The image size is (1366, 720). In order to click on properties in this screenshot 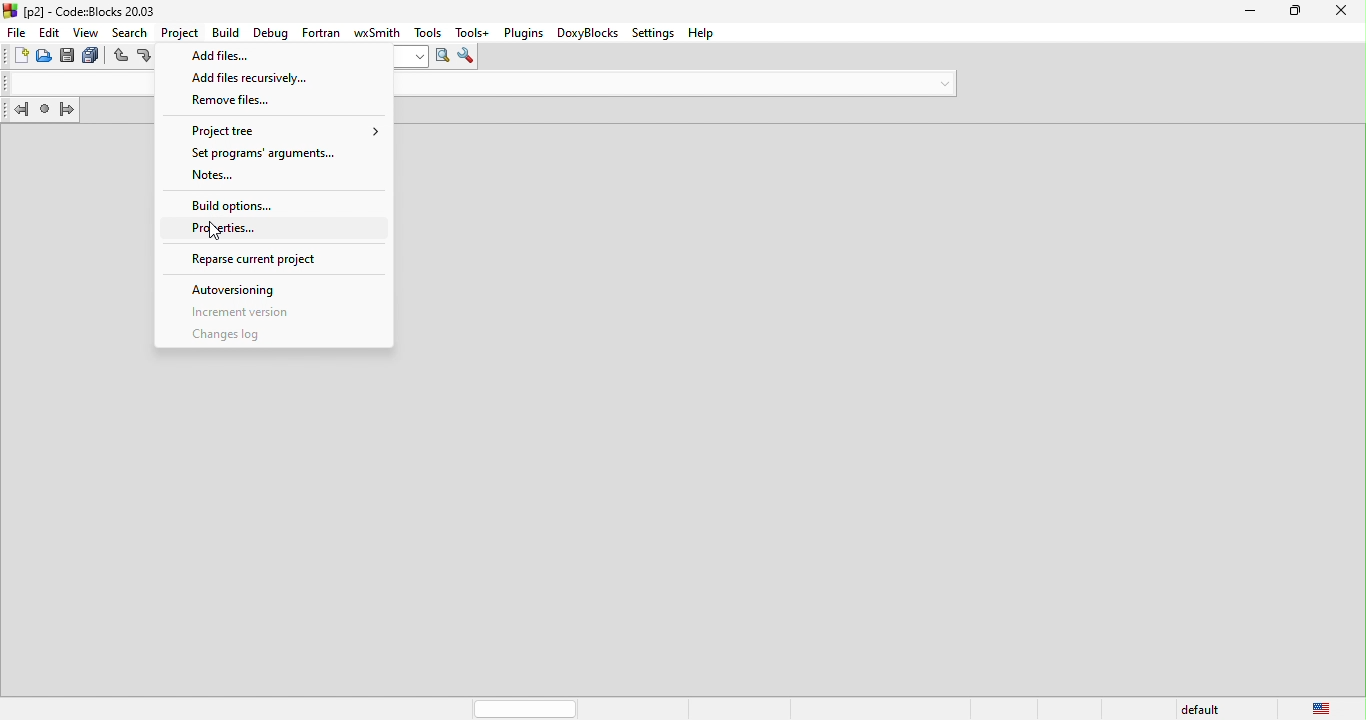, I will do `click(277, 229)`.